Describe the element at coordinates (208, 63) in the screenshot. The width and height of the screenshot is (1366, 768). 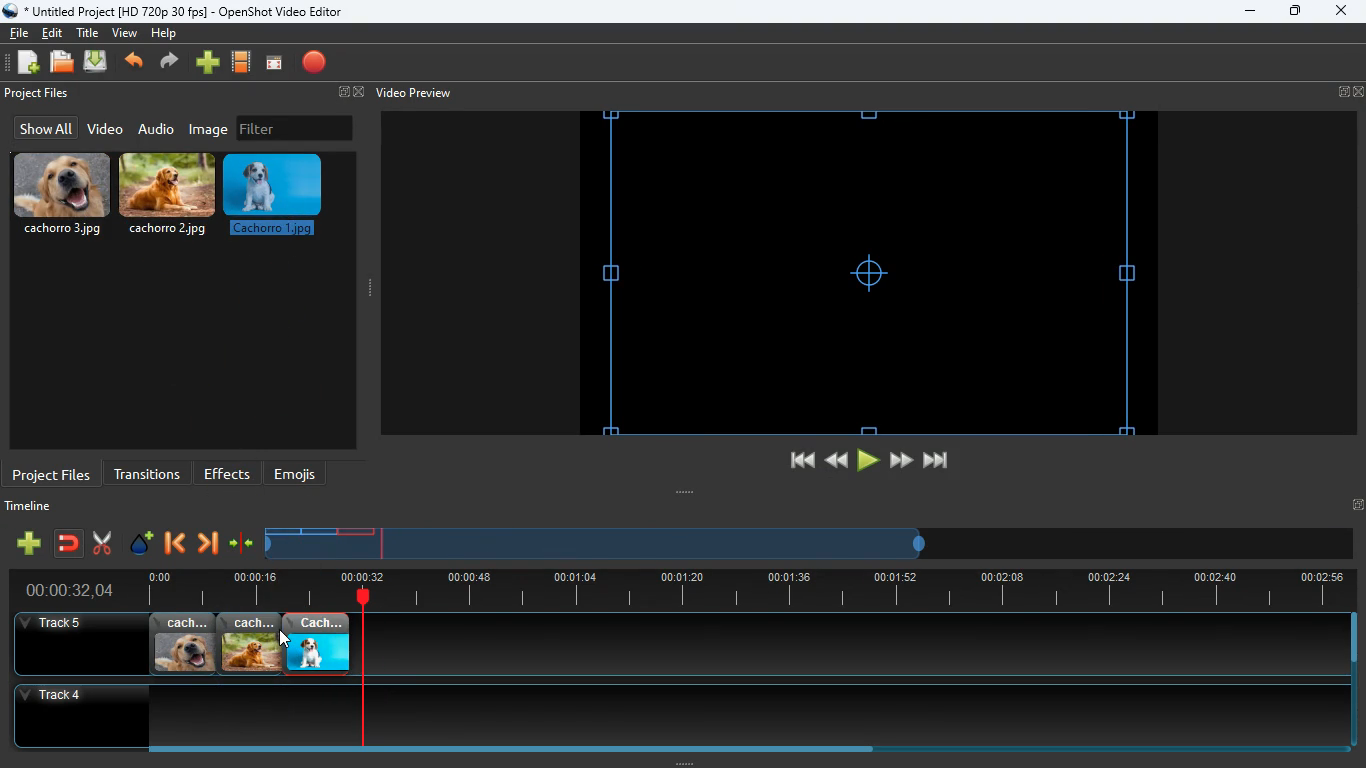
I see `add` at that location.